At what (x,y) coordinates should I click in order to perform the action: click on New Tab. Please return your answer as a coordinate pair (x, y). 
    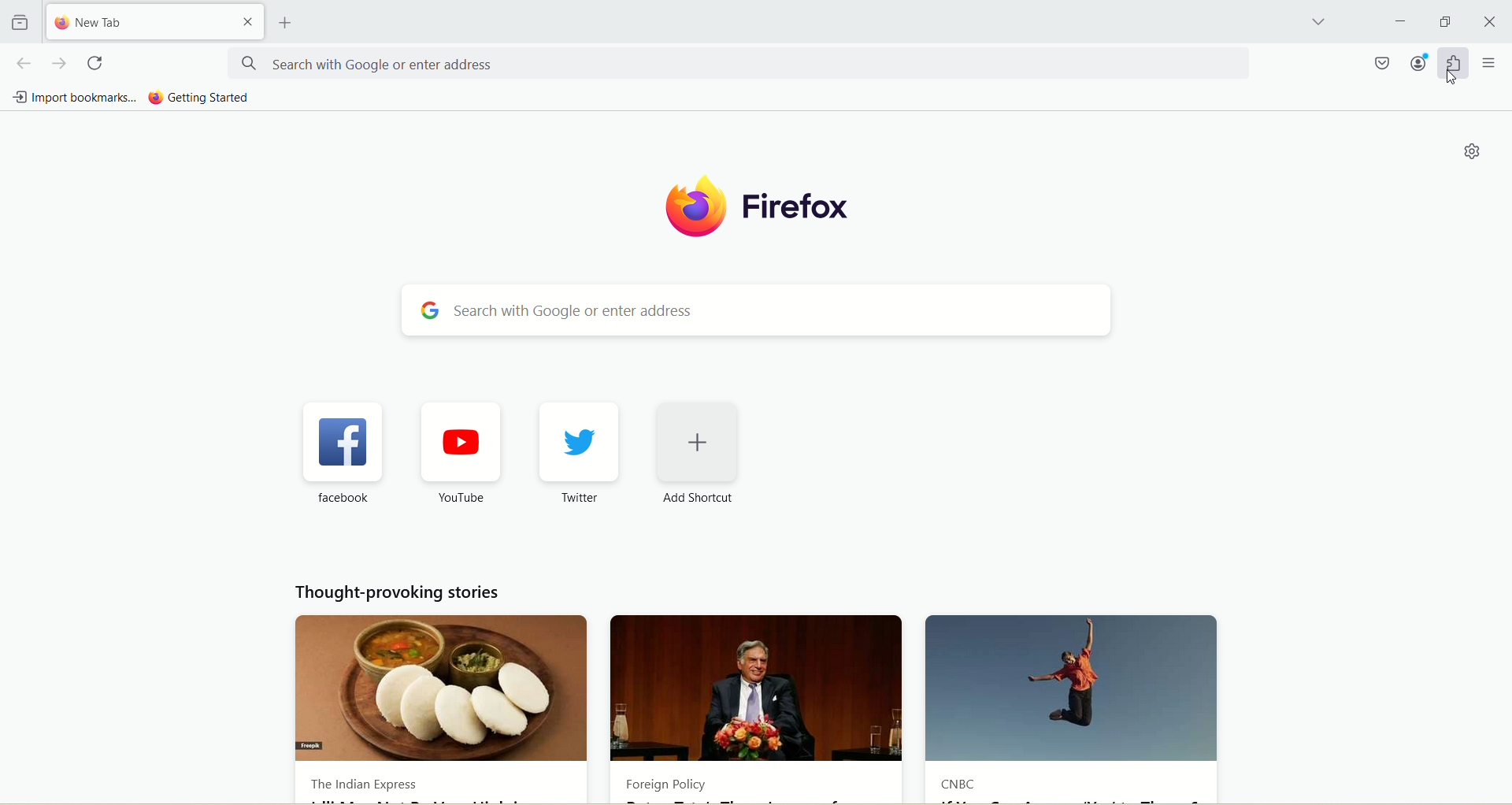
    Looking at the image, I should click on (139, 20).